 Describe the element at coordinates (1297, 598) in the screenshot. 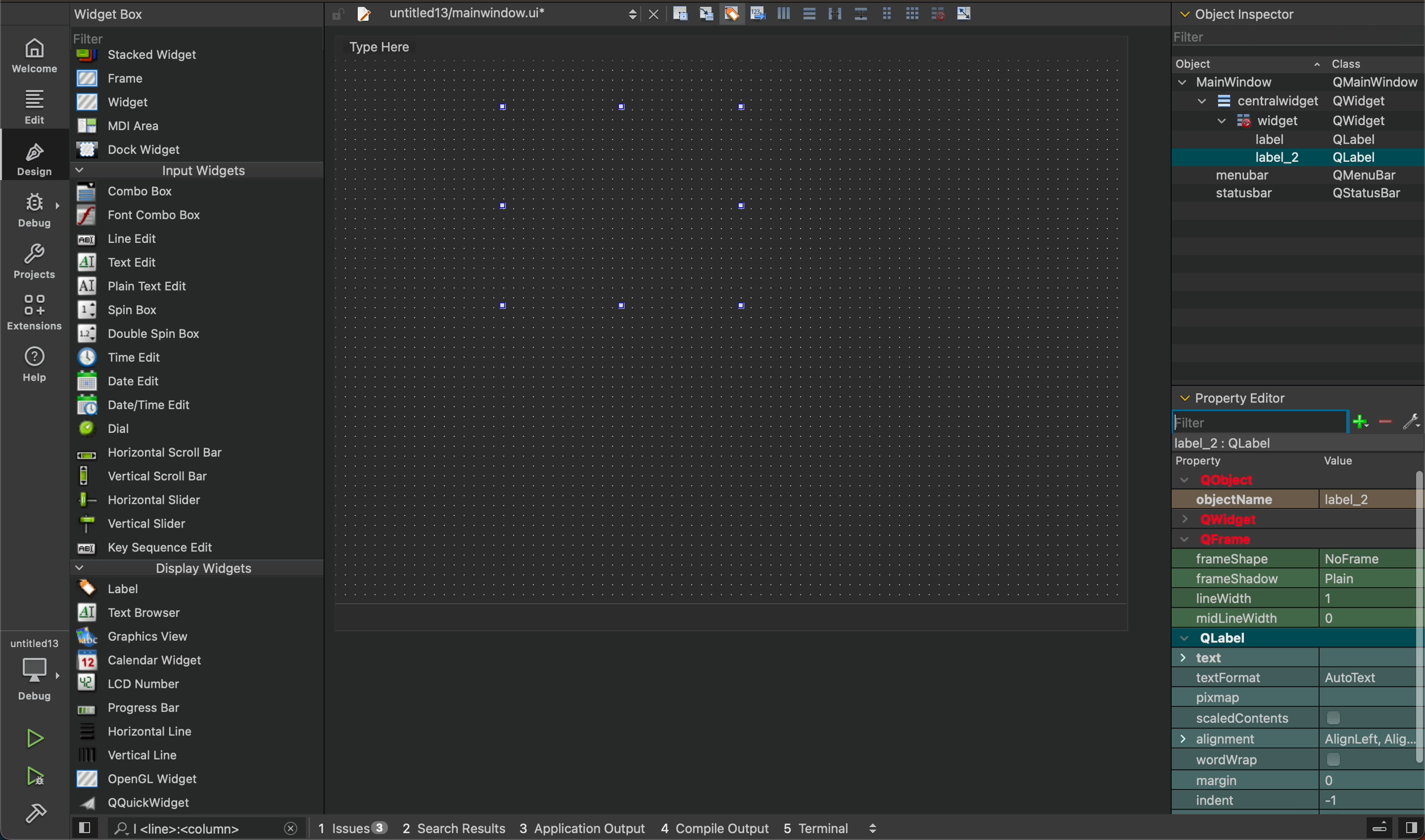

I see `lineWidth` at that location.